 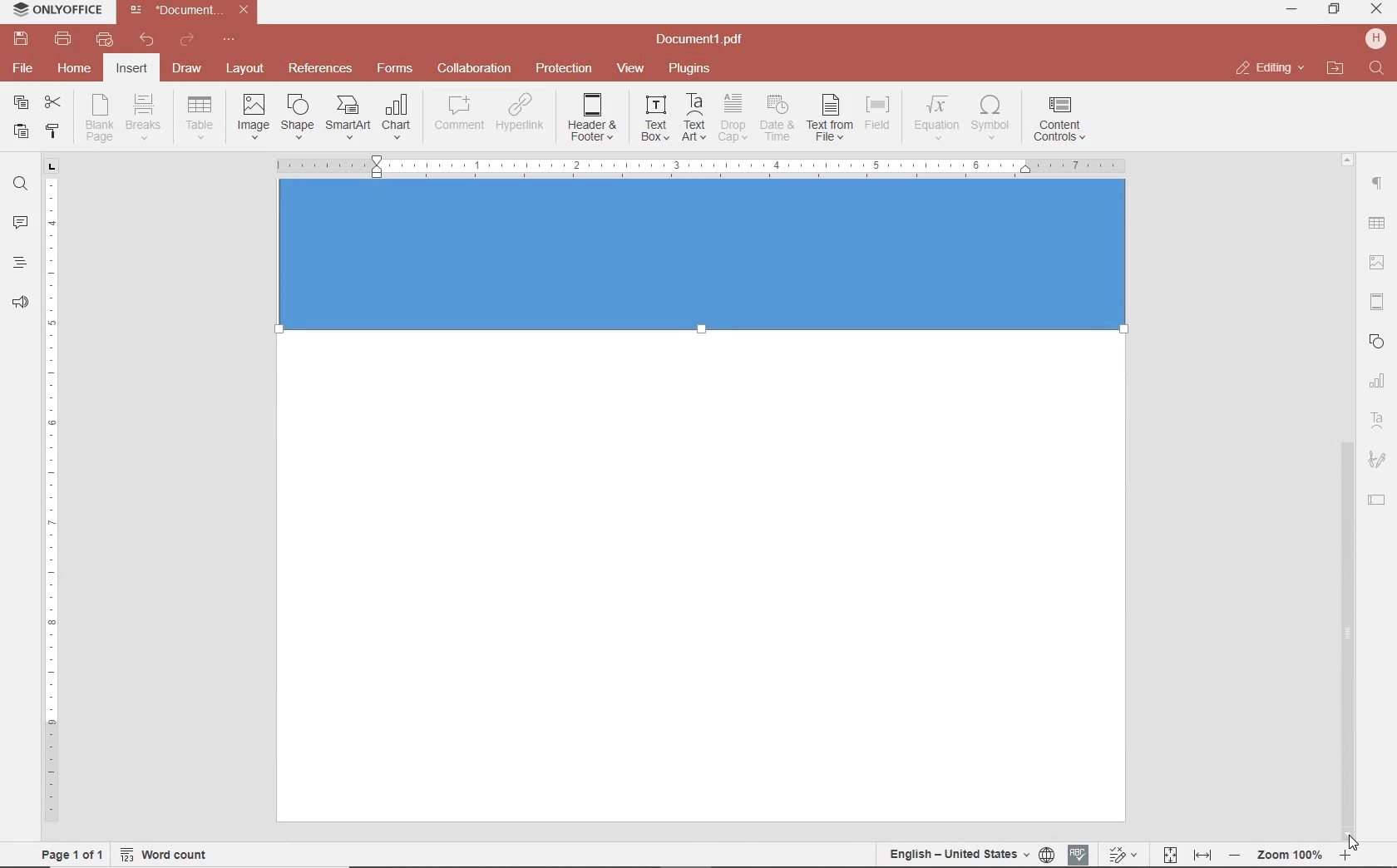 What do you see at coordinates (461, 113) in the screenshot?
I see `COMMENT` at bounding box center [461, 113].